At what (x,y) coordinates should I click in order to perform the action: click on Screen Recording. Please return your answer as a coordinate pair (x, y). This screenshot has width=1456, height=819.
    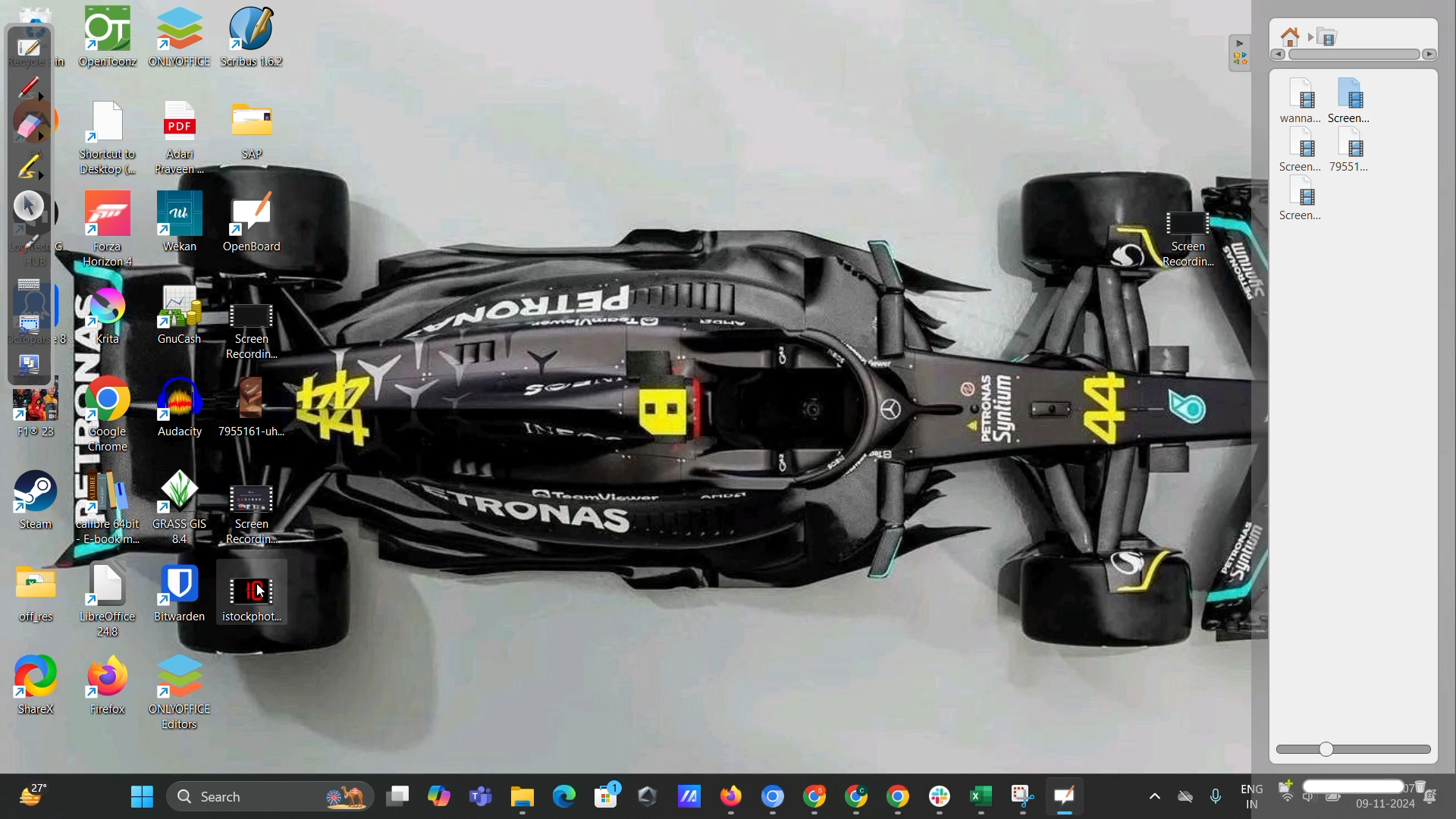
    Looking at the image, I should click on (246, 513).